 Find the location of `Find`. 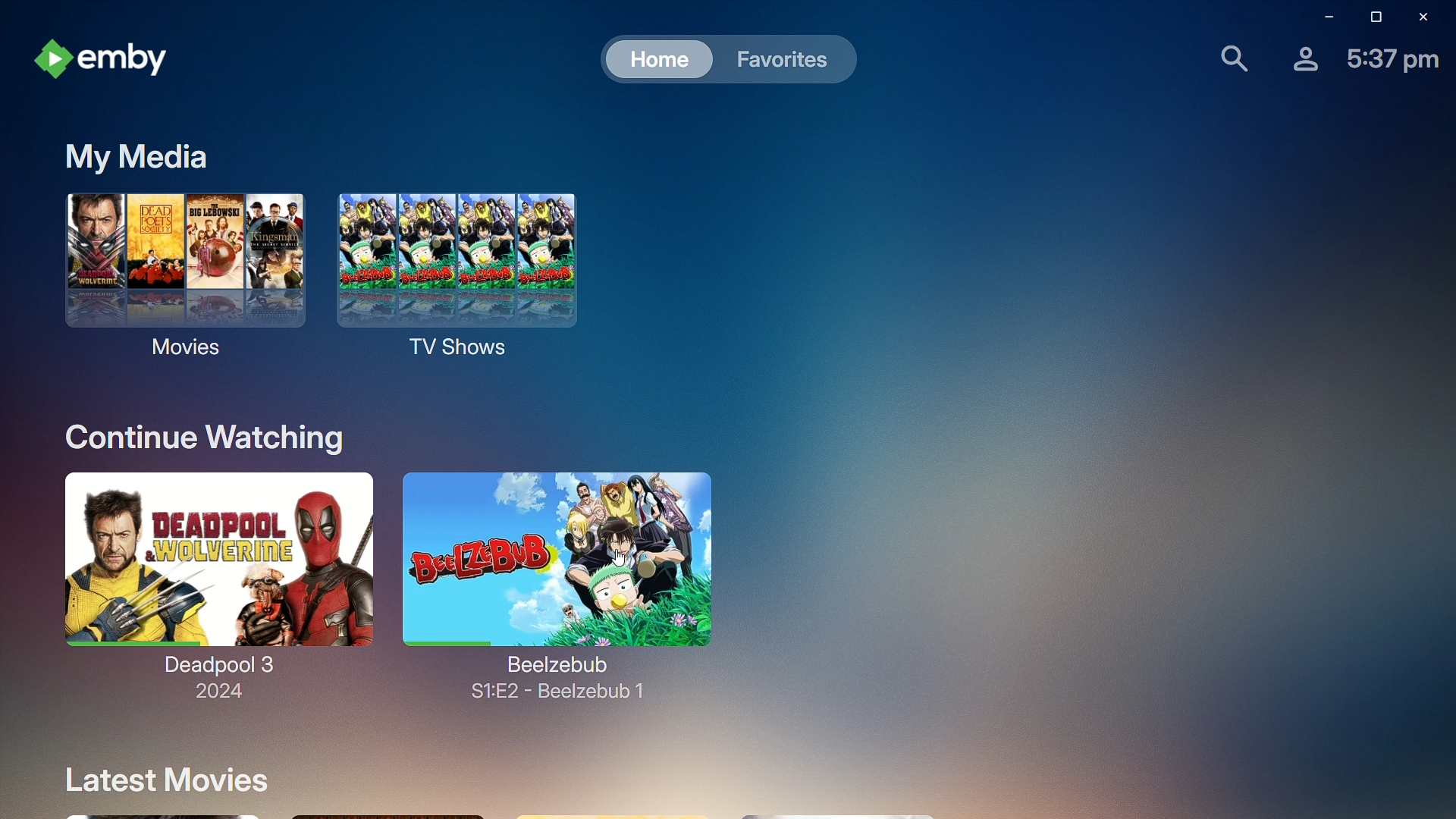

Find is located at coordinates (1224, 60).